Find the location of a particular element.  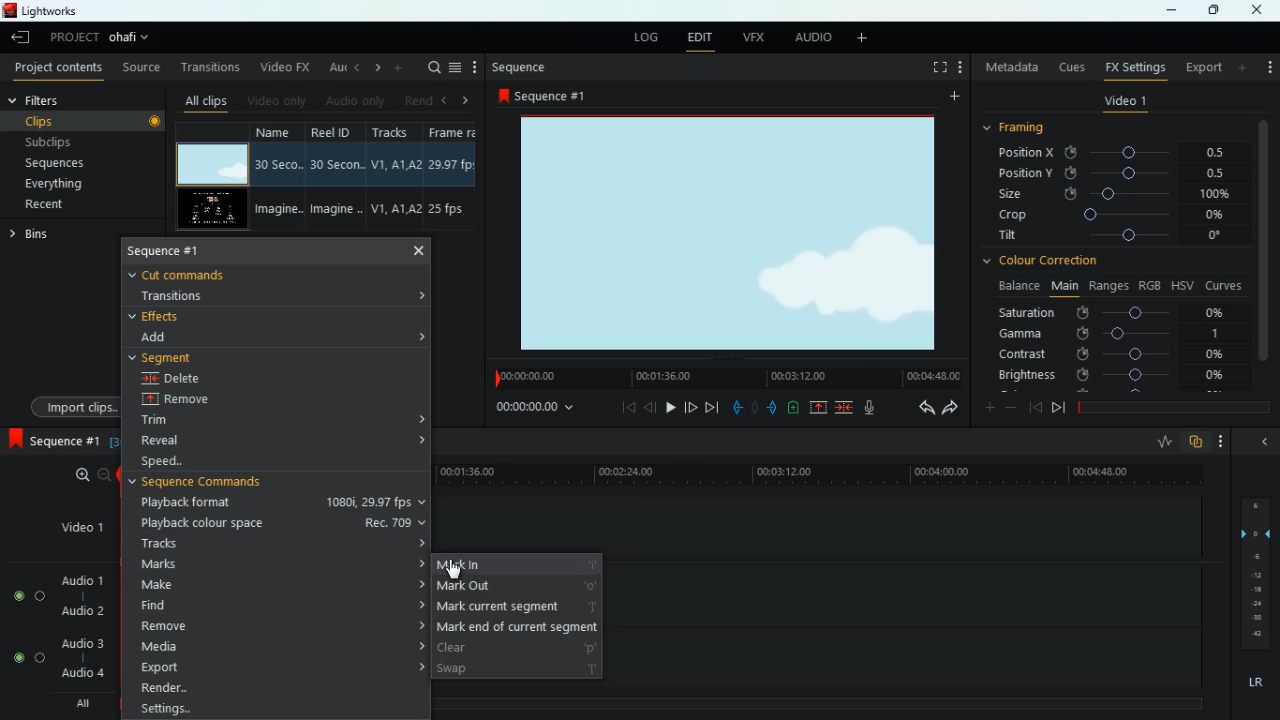

video 1 is located at coordinates (1134, 101).